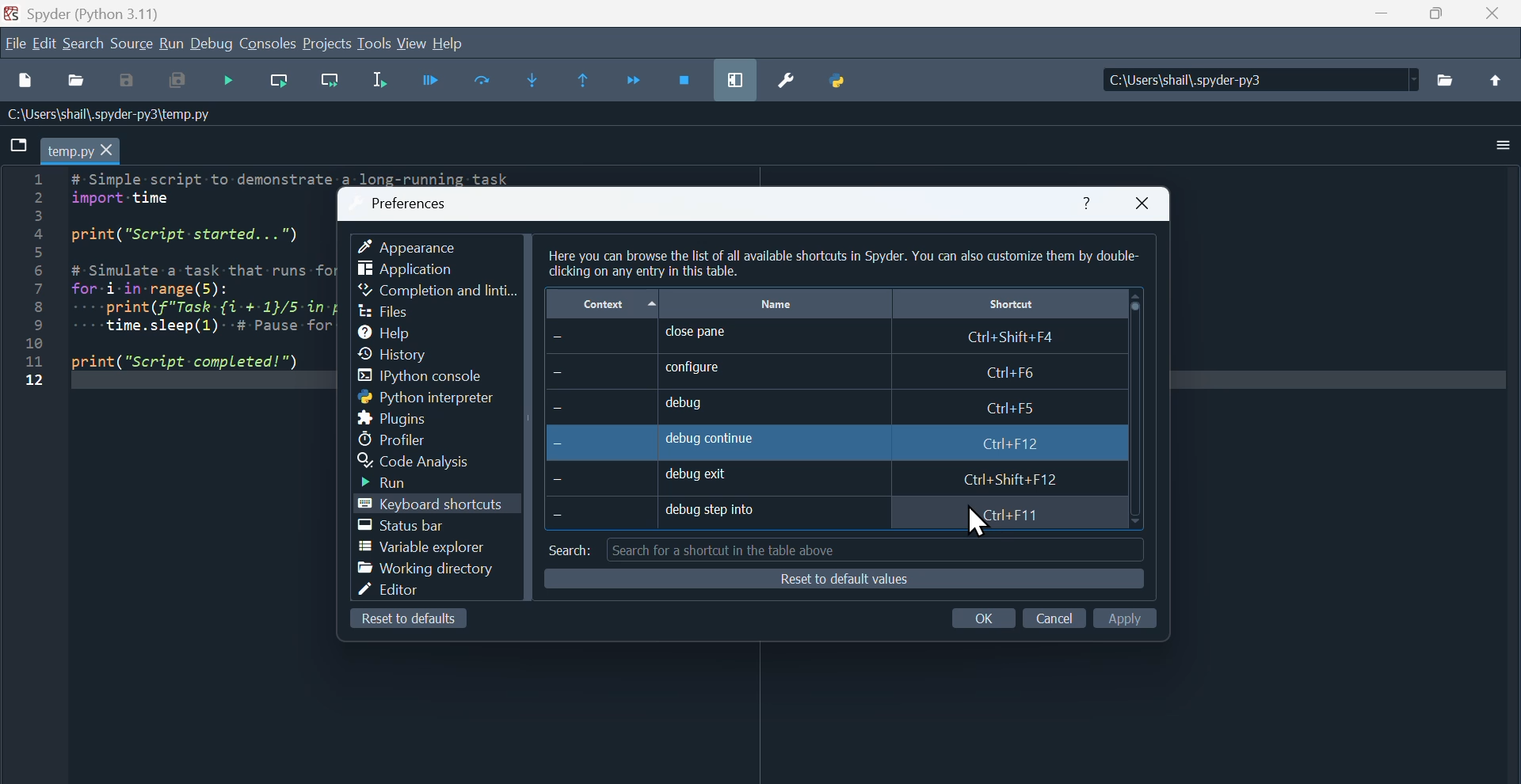 Image resolution: width=1521 pixels, height=784 pixels. Describe the element at coordinates (1007, 305) in the screenshot. I see `shortcut column` at that location.